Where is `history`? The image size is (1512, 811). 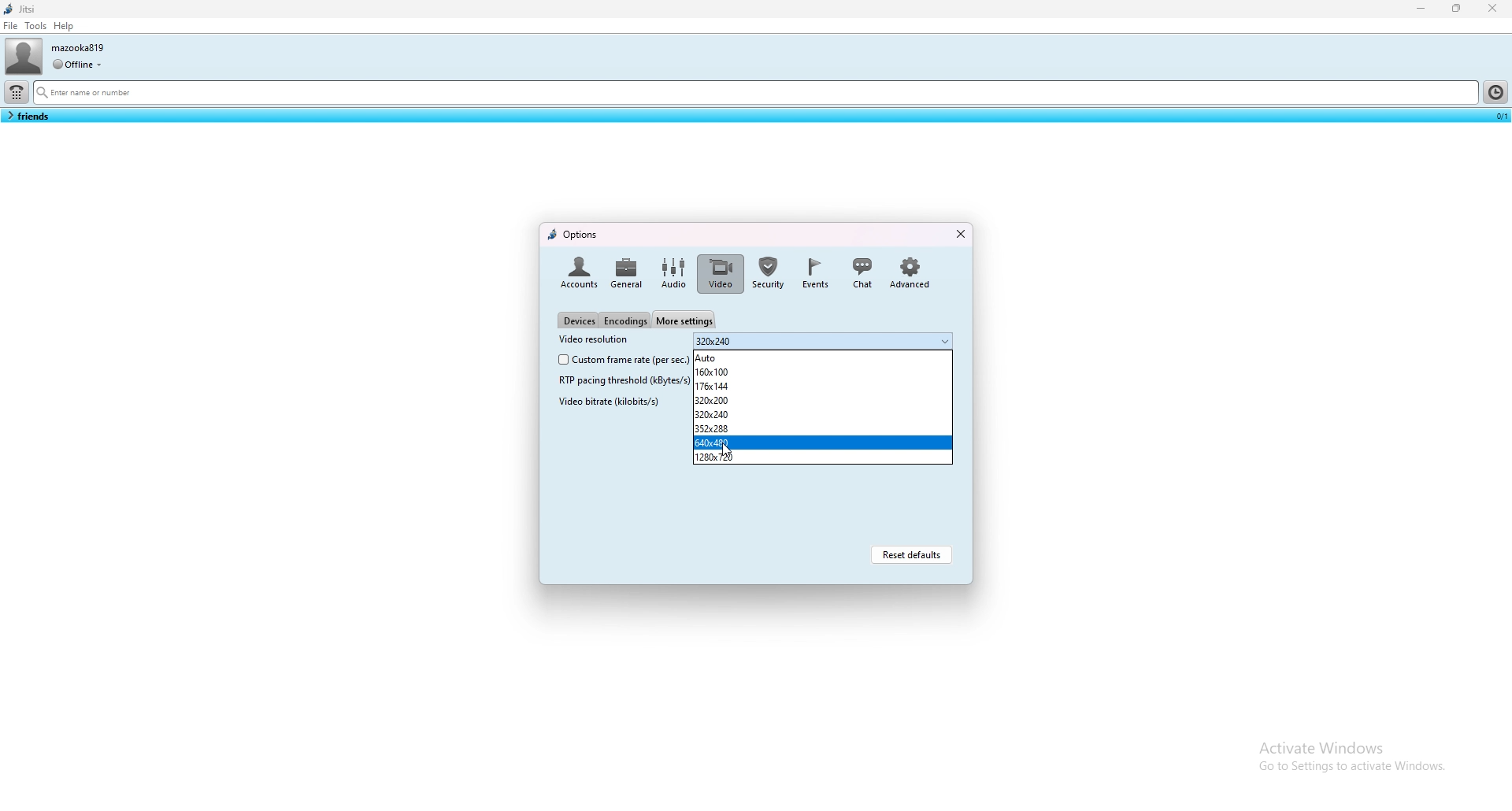 history is located at coordinates (1495, 91).